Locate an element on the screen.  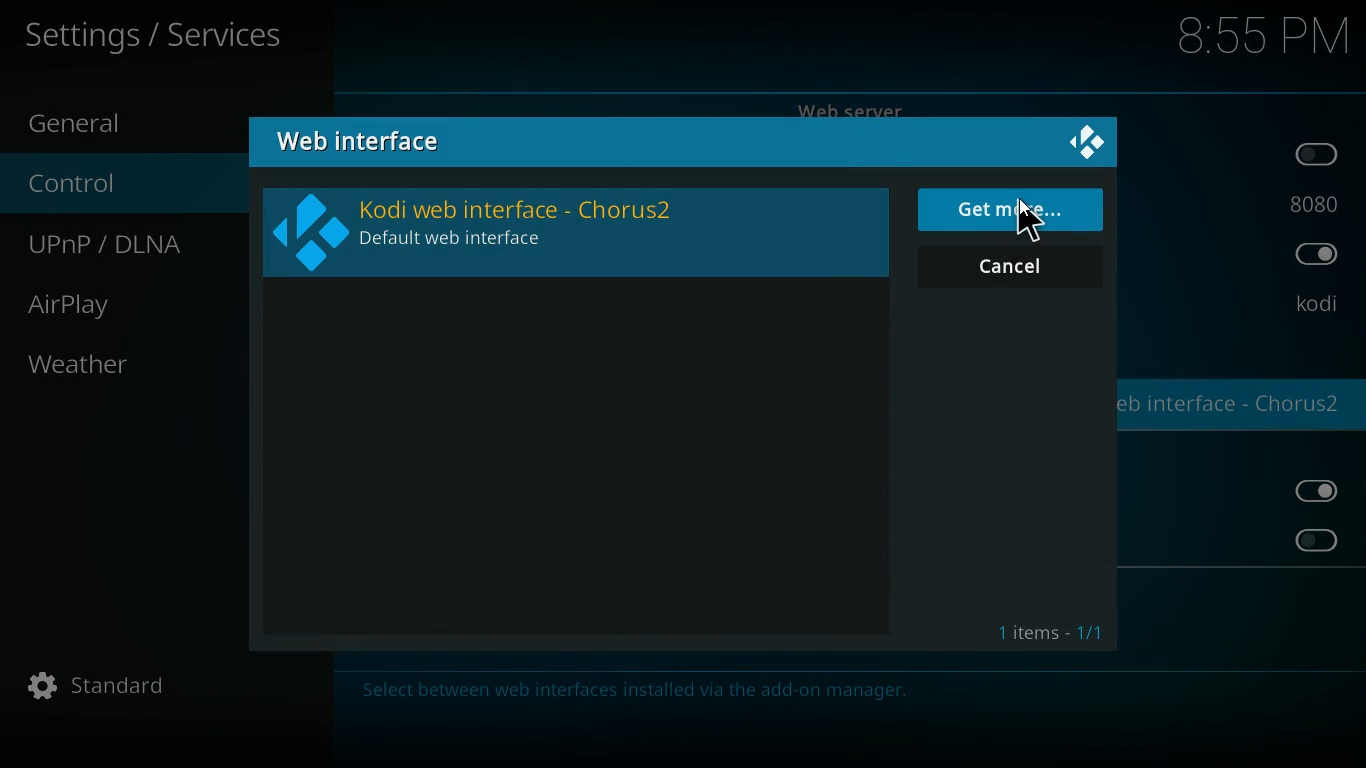
items is located at coordinates (1052, 634).